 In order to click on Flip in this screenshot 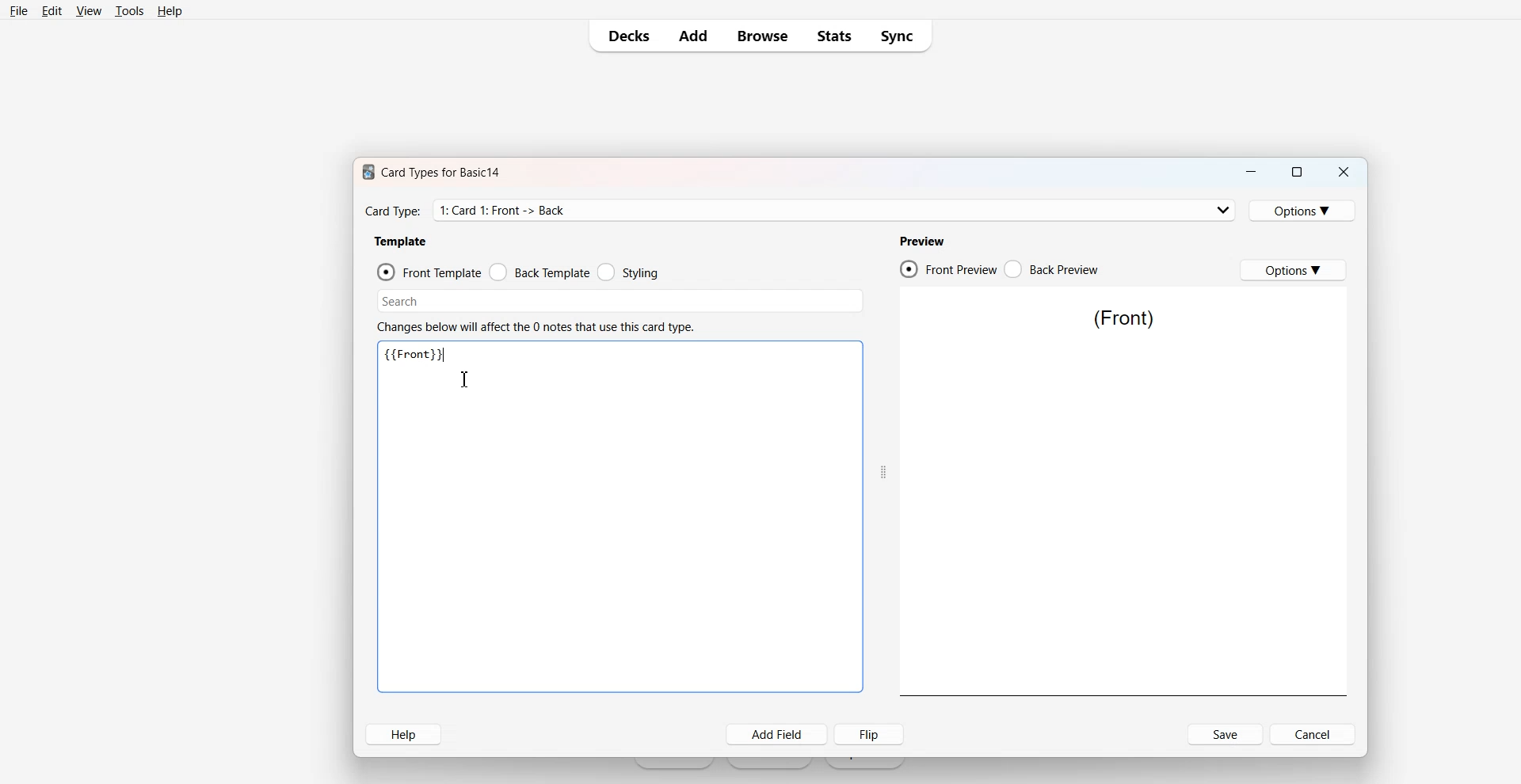, I will do `click(869, 734)`.